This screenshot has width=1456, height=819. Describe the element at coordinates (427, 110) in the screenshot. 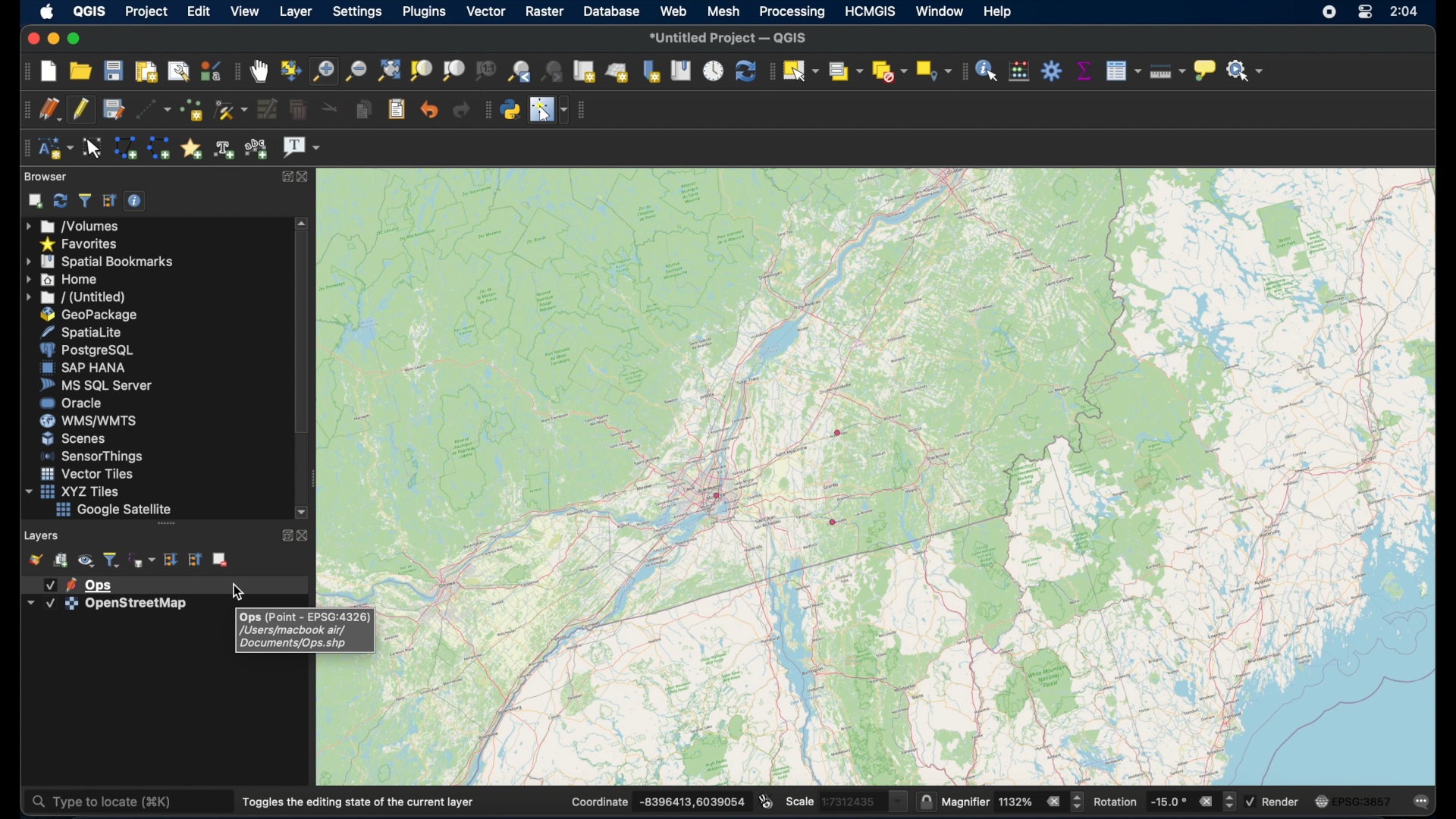

I see `undo` at that location.